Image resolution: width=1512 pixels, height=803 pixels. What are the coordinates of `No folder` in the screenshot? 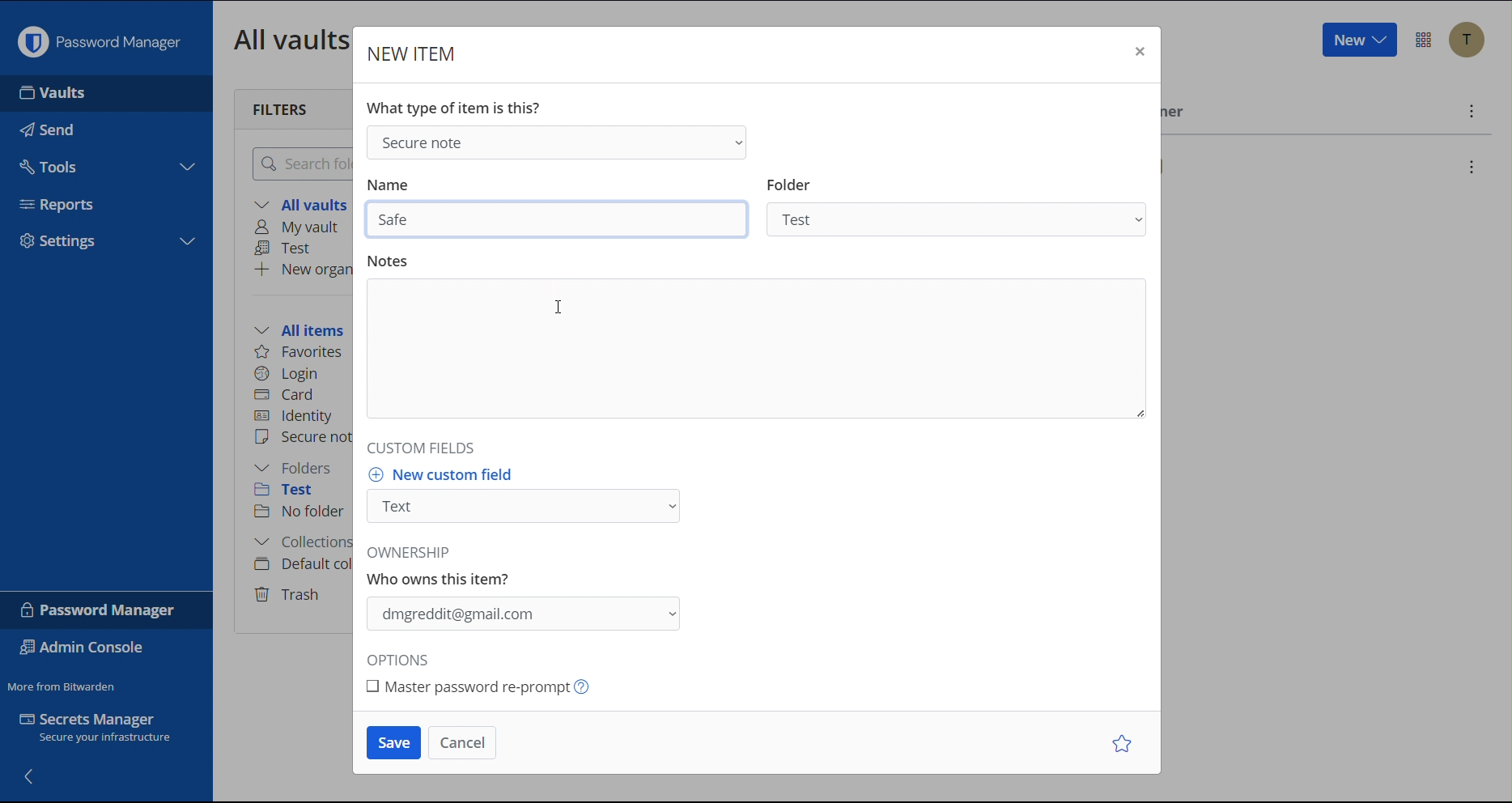 It's located at (301, 512).